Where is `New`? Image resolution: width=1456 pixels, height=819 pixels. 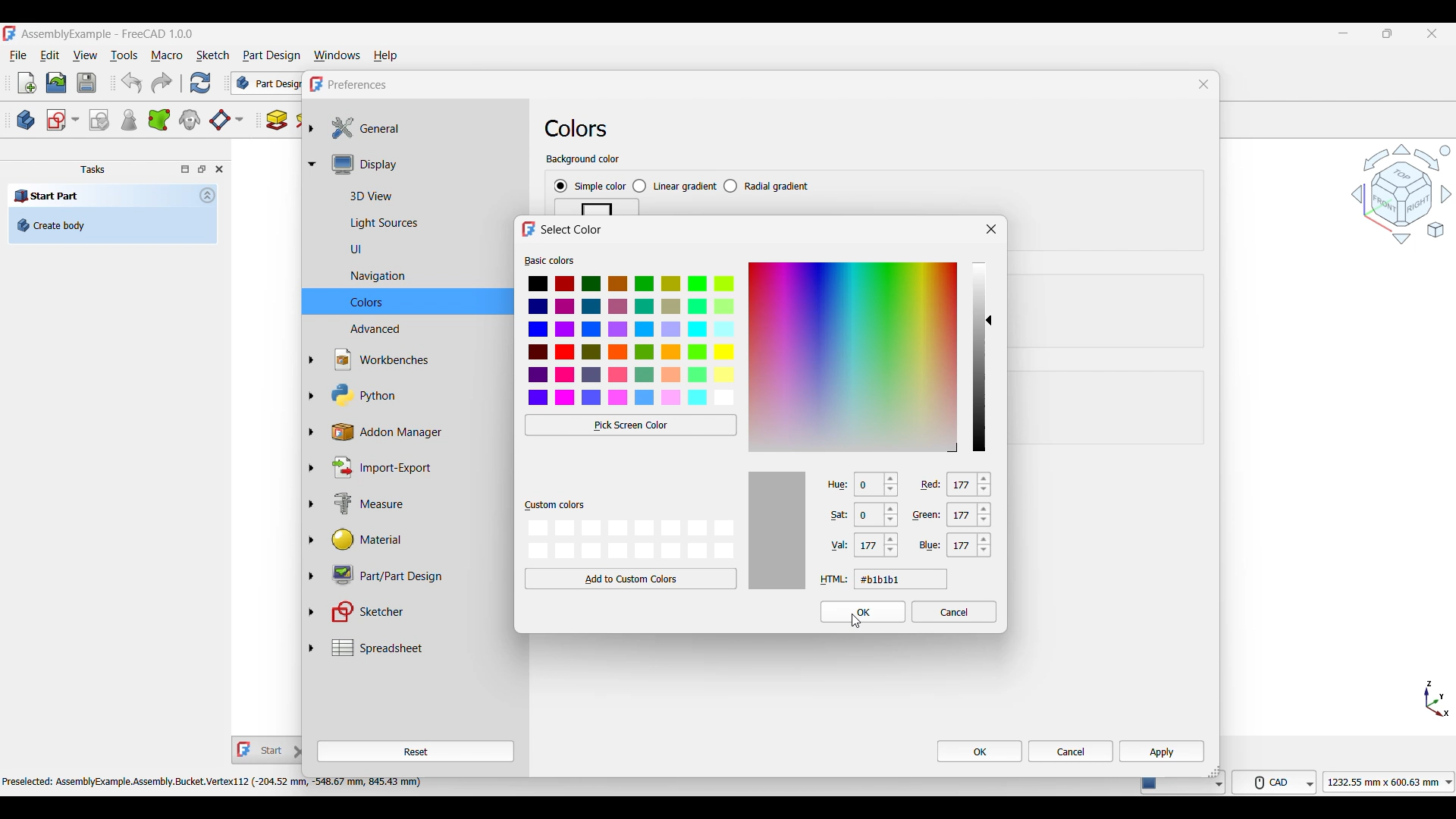
New is located at coordinates (27, 83).